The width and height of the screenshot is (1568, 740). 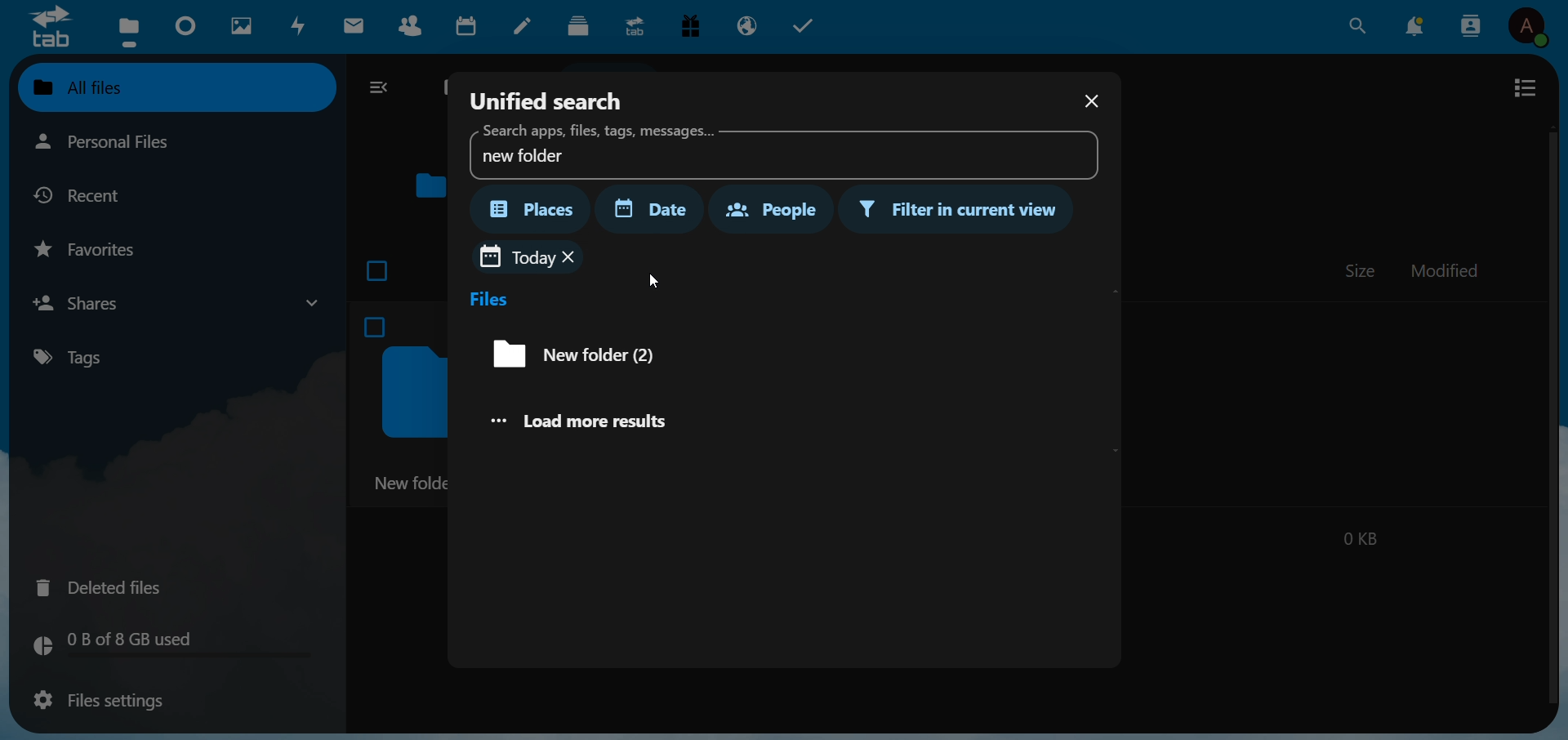 What do you see at coordinates (49, 26) in the screenshot?
I see `logo` at bounding box center [49, 26].